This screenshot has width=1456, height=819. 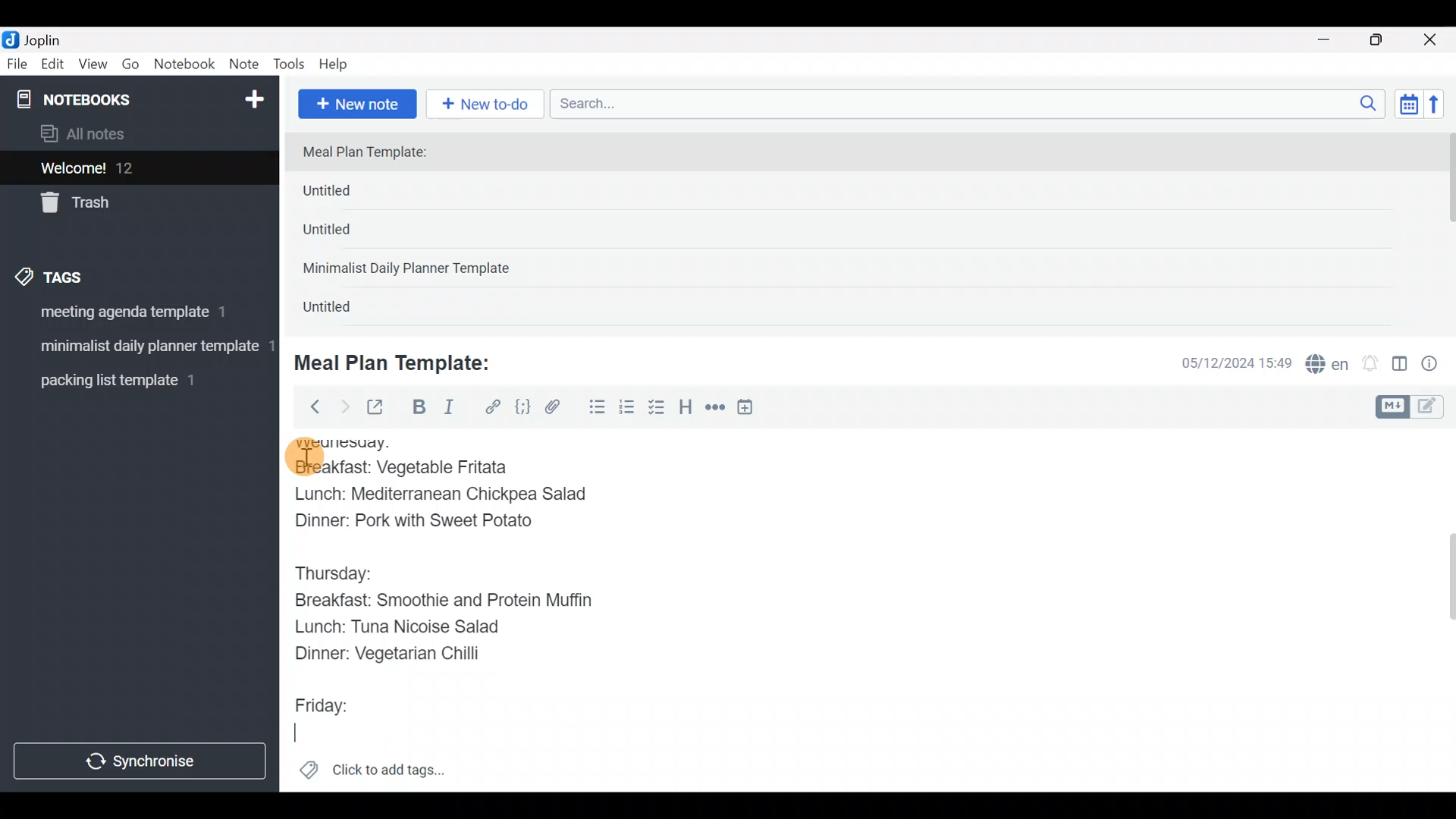 I want to click on Spelling, so click(x=1328, y=366).